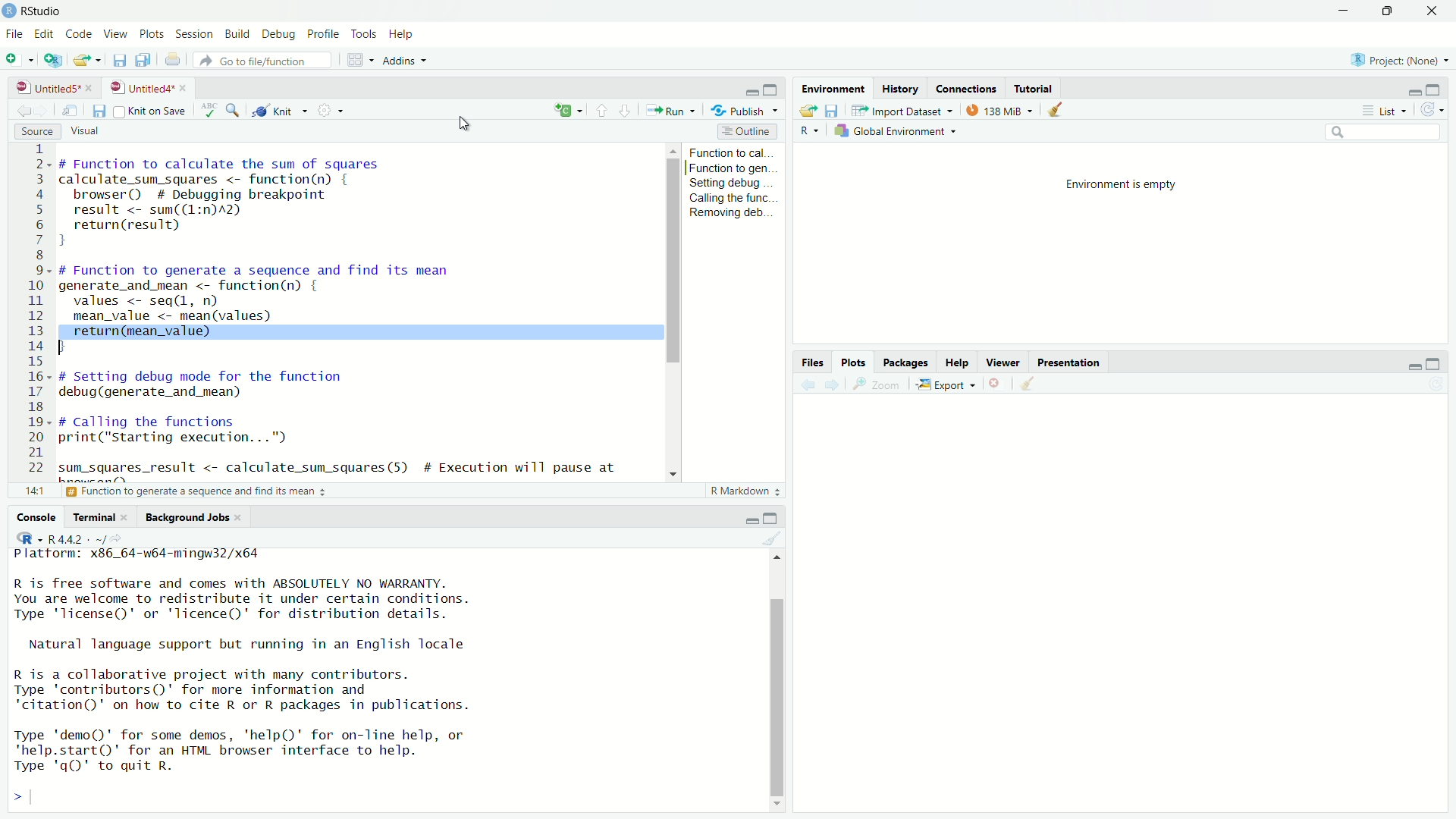  What do you see at coordinates (1125, 608) in the screenshot?
I see `empty plot area` at bounding box center [1125, 608].